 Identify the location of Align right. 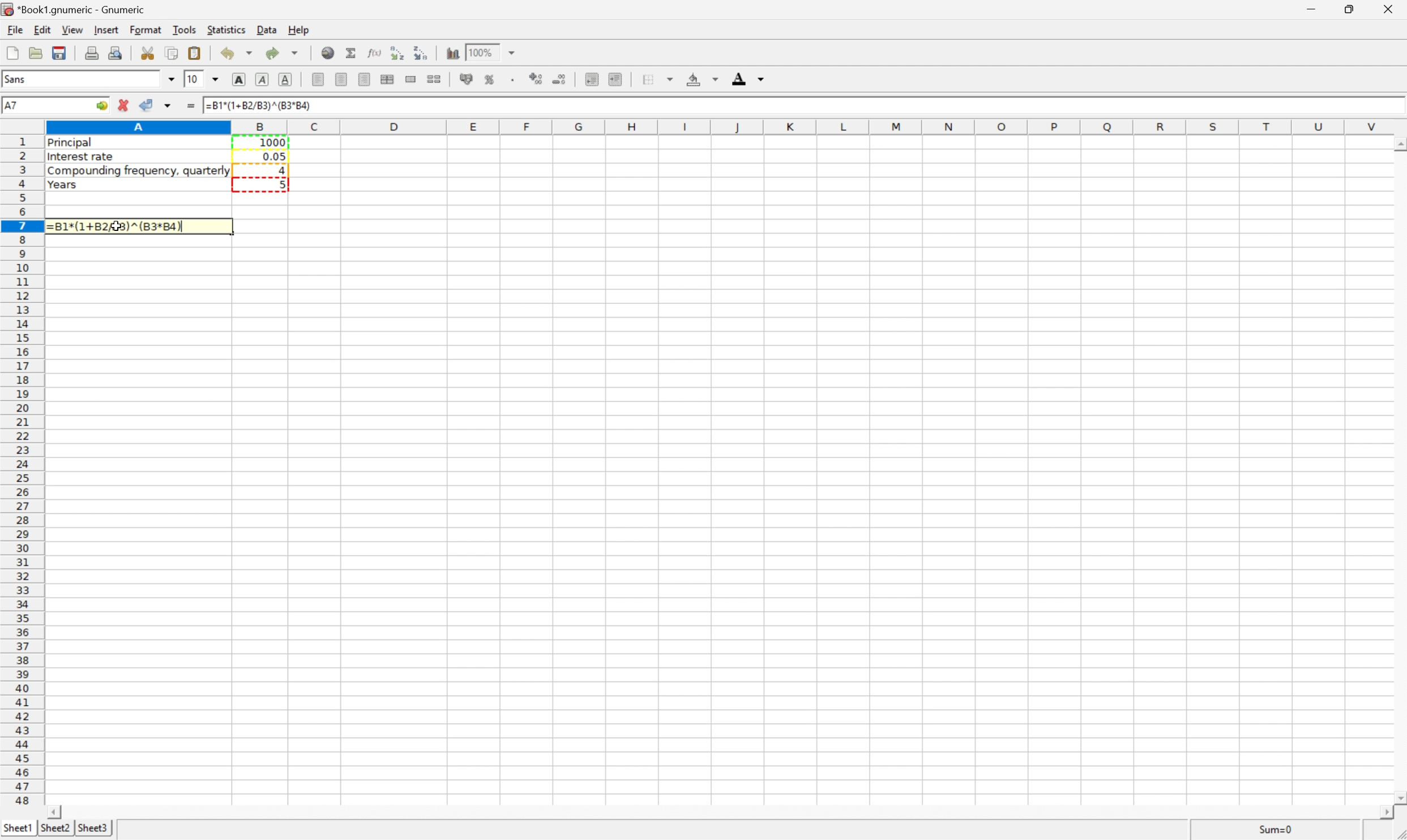
(364, 79).